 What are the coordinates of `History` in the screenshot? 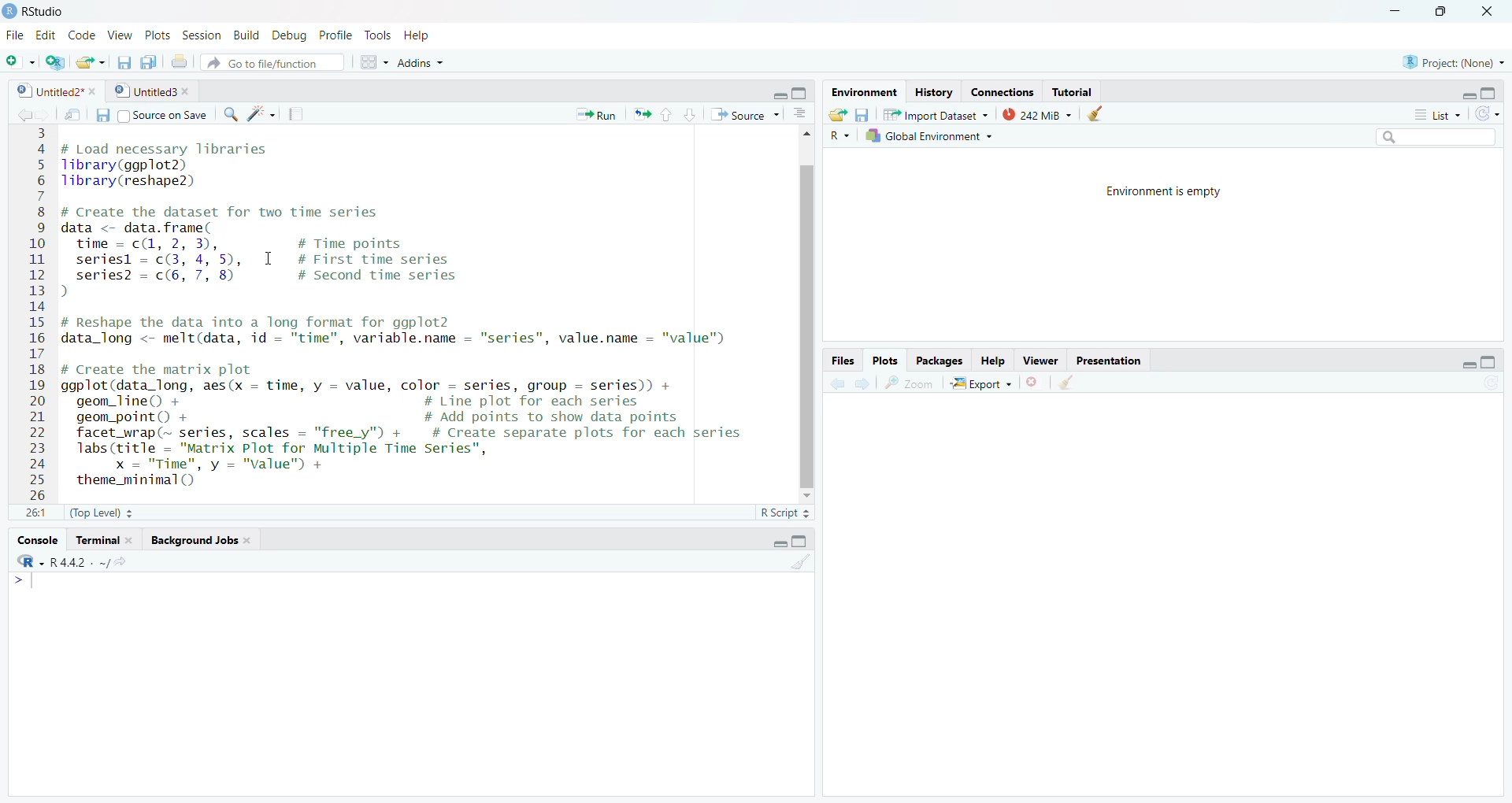 It's located at (933, 93).